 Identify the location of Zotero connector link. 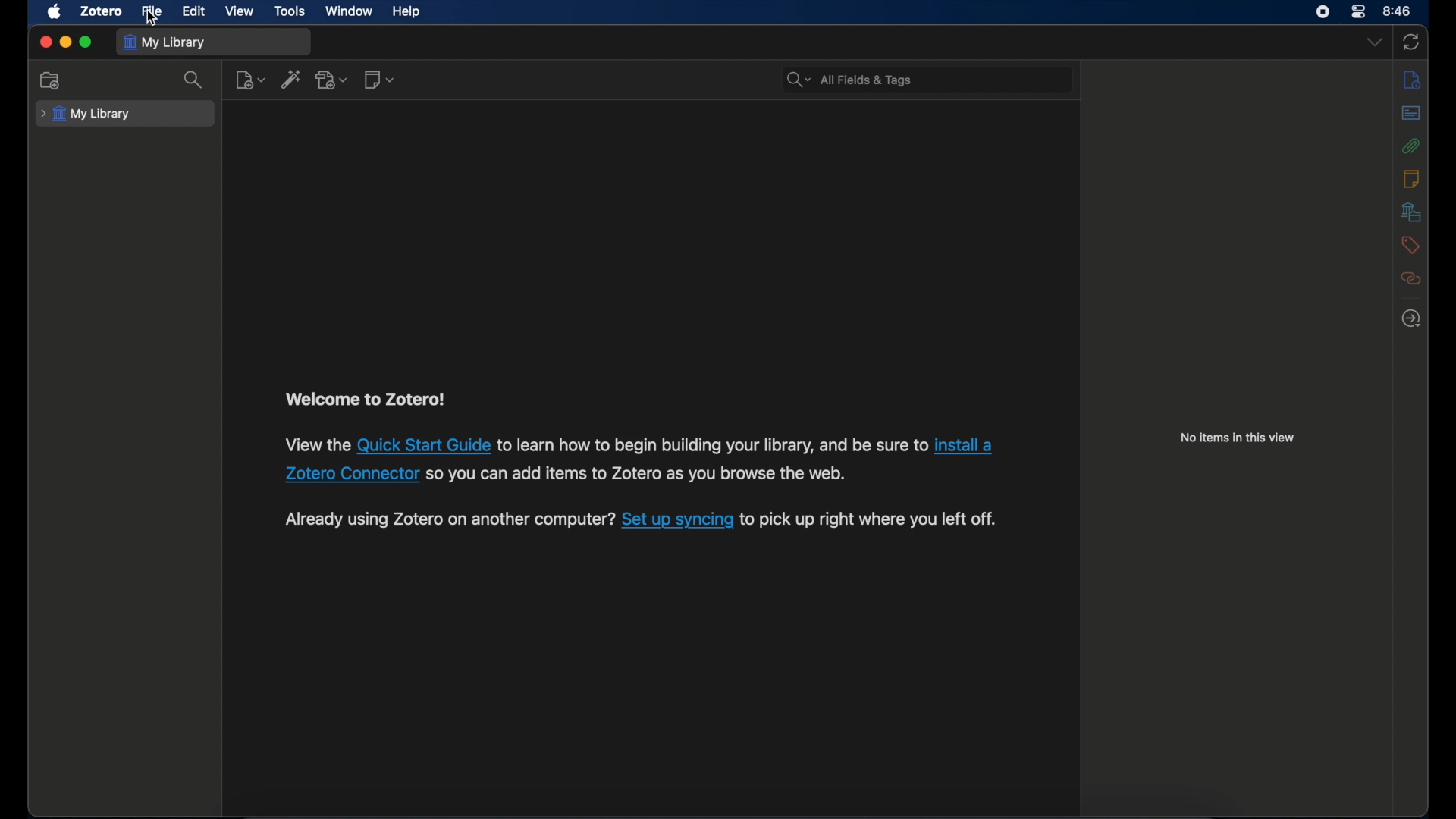
(969, 443).